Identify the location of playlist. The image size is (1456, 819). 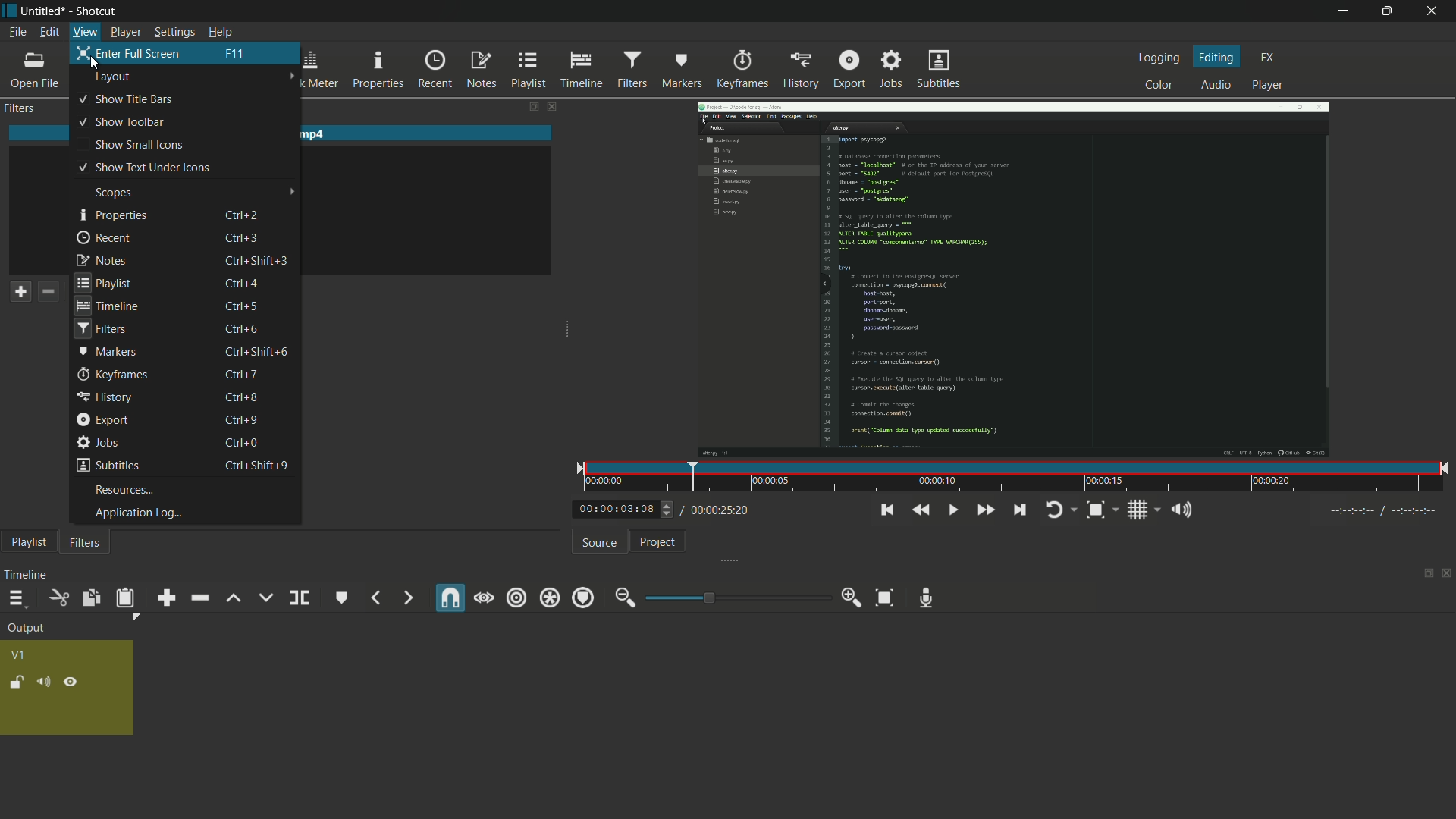
(104, 281).